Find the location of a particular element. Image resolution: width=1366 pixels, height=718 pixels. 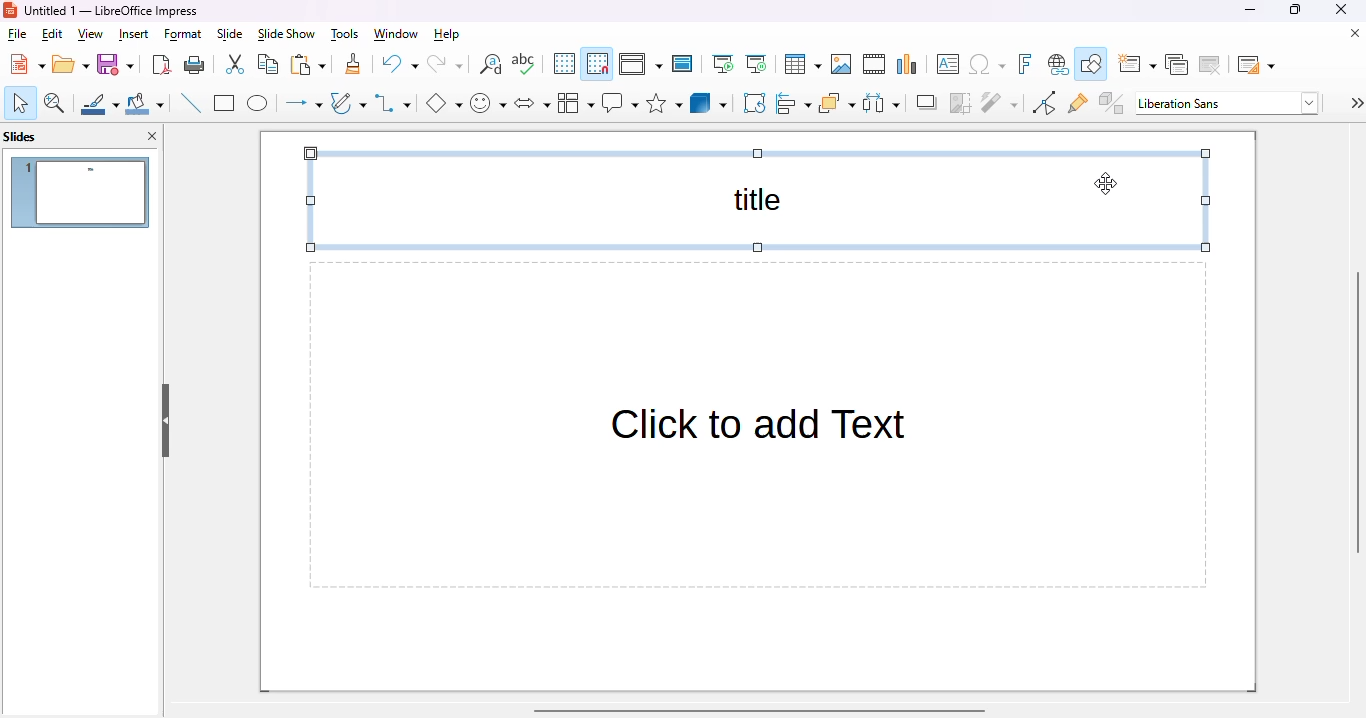

stars and banners is located at coordinates (664, 102).